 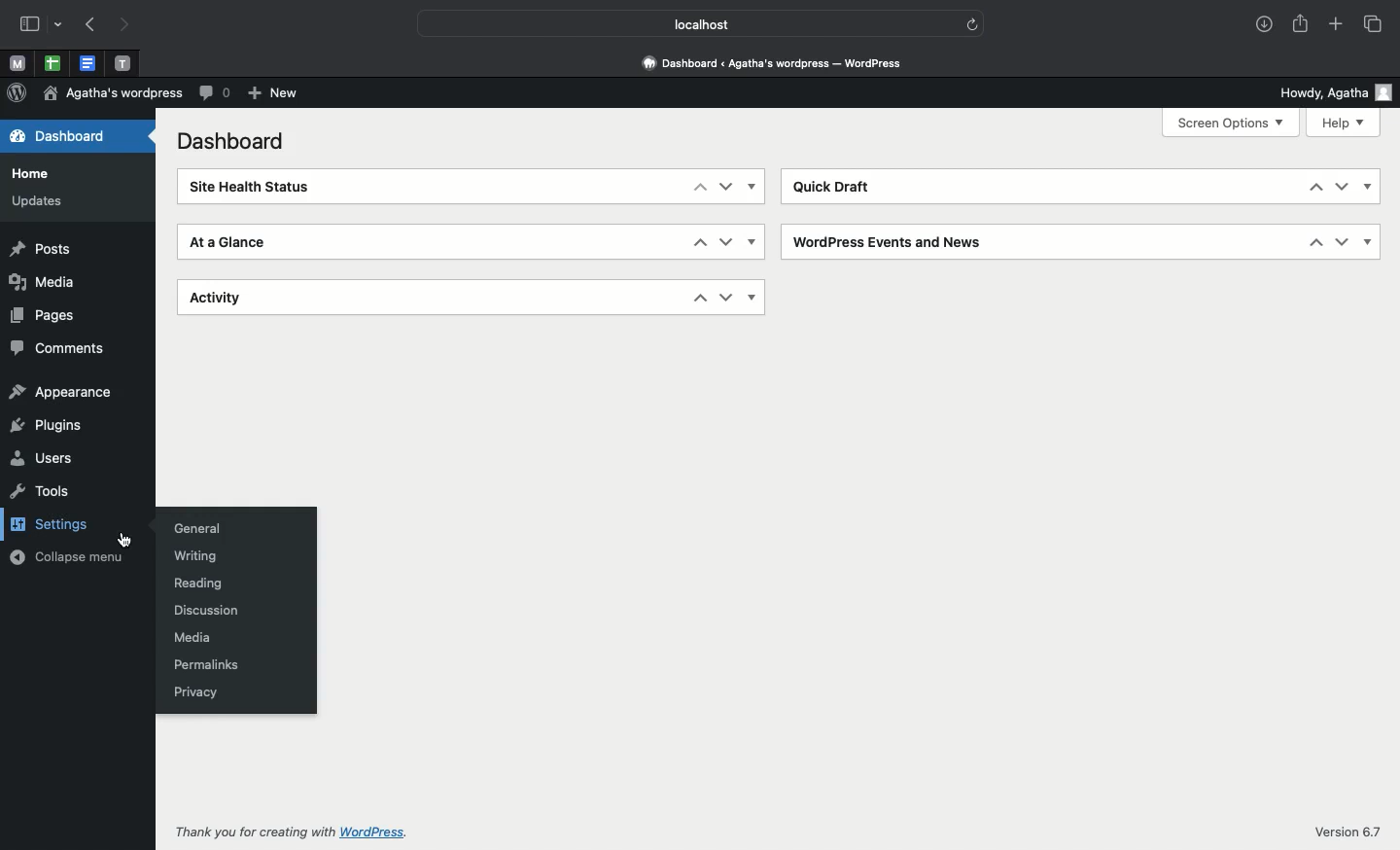 I want to click on Posts, so click(x=44, y=248).